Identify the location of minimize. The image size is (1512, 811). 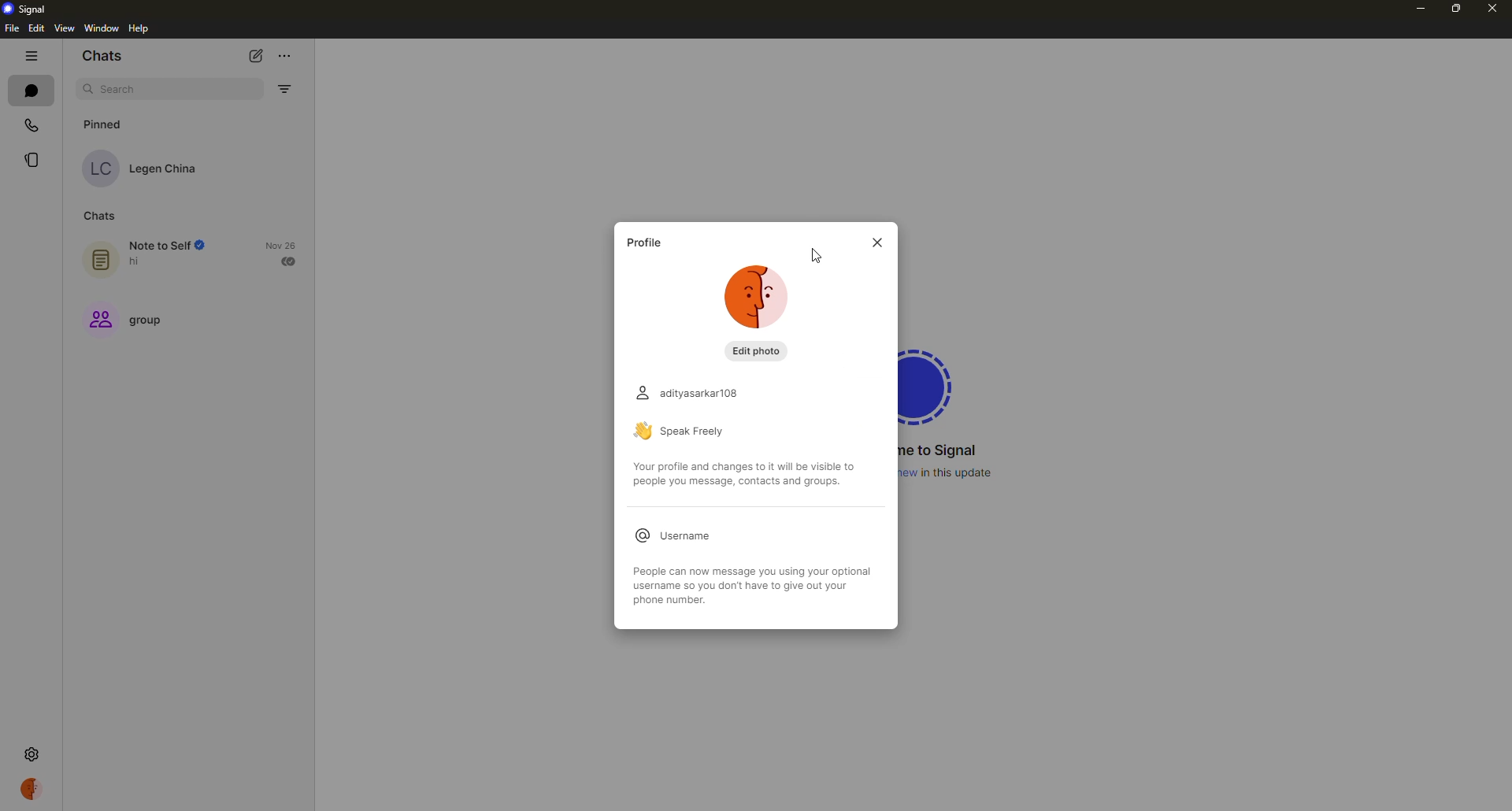
(1415, 10).